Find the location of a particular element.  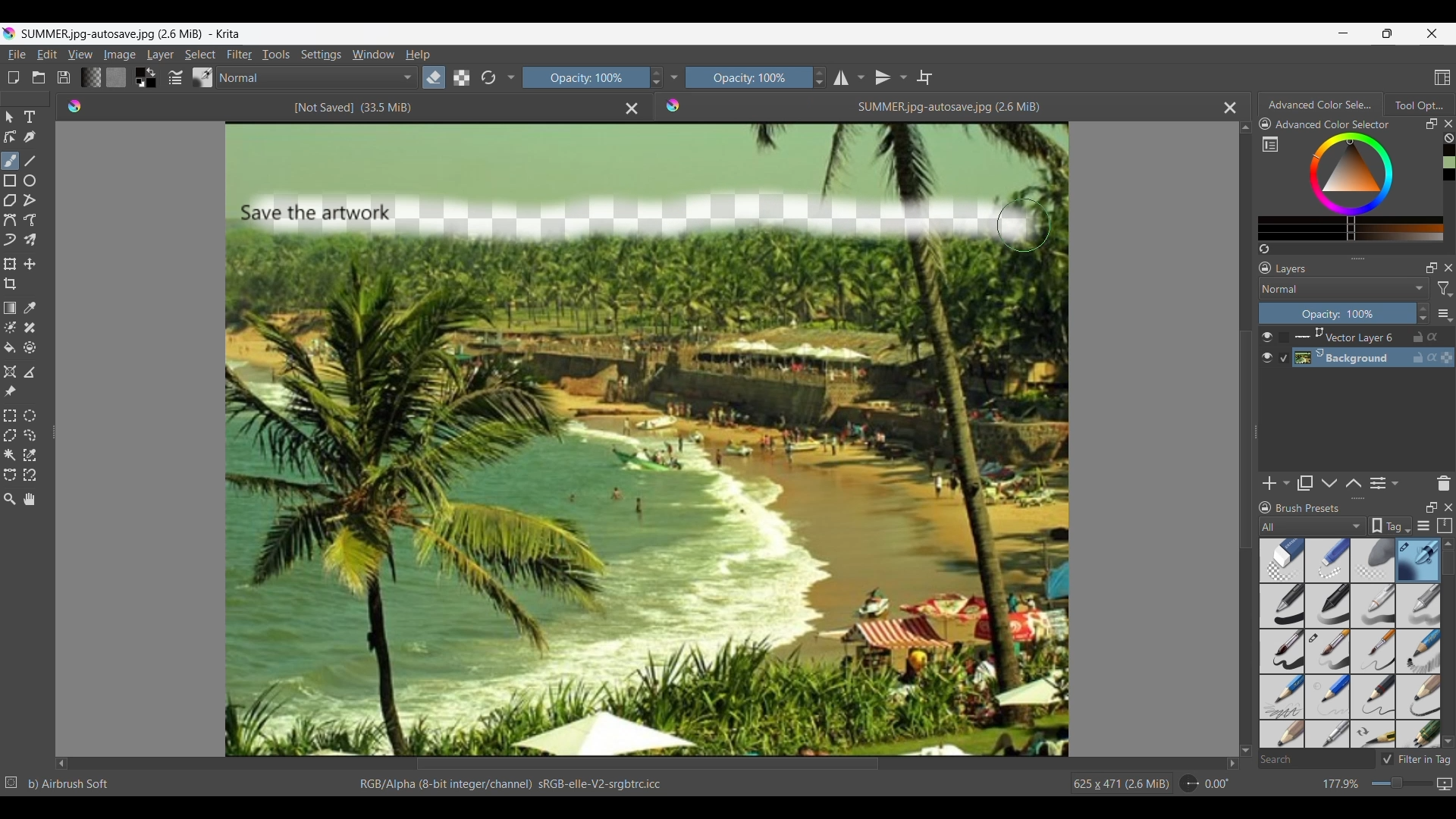

Close layers panel is located at coordinates (1446, 268).